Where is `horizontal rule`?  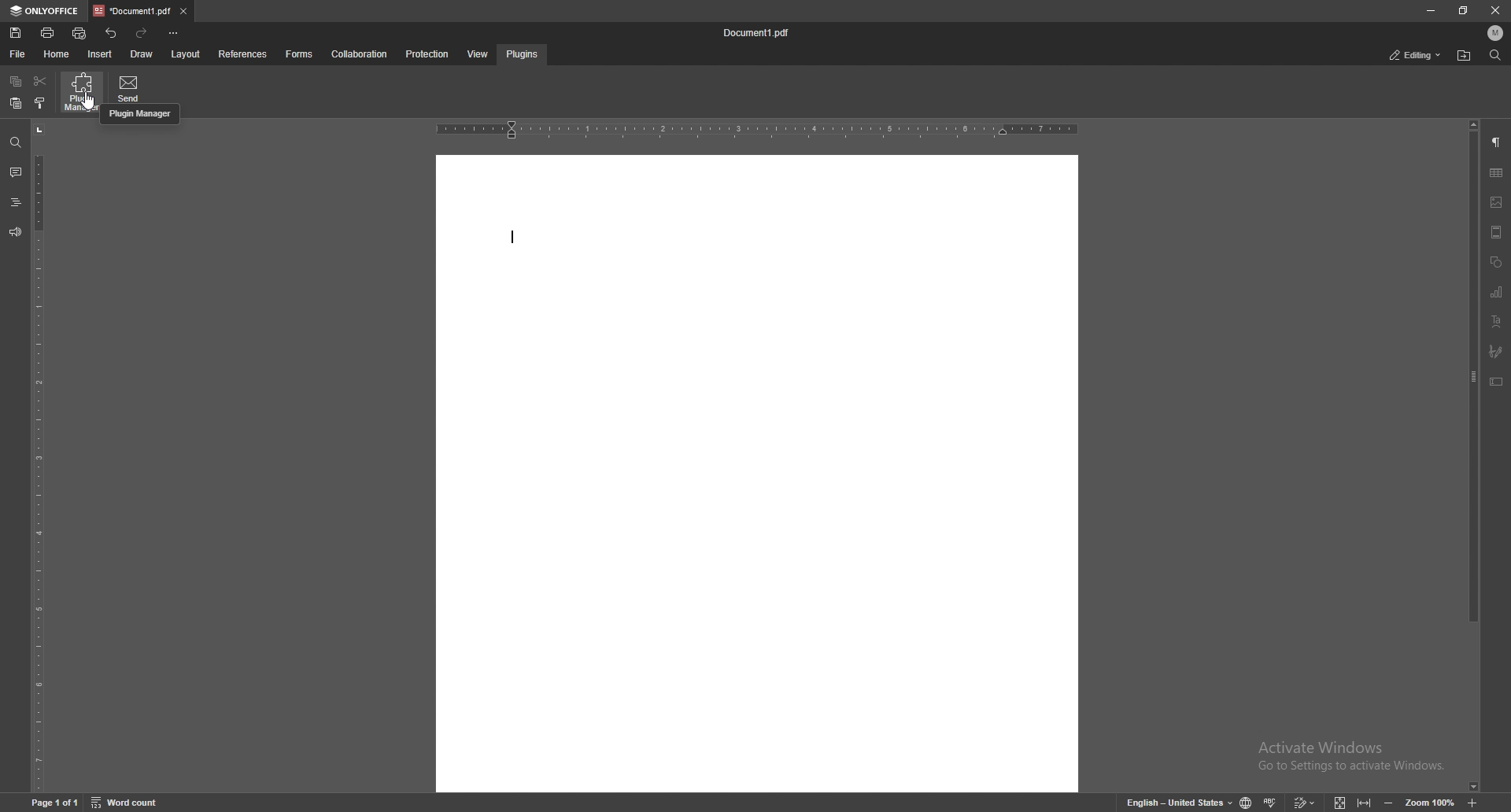
horizontal rule is located at coordinates (757, 129).